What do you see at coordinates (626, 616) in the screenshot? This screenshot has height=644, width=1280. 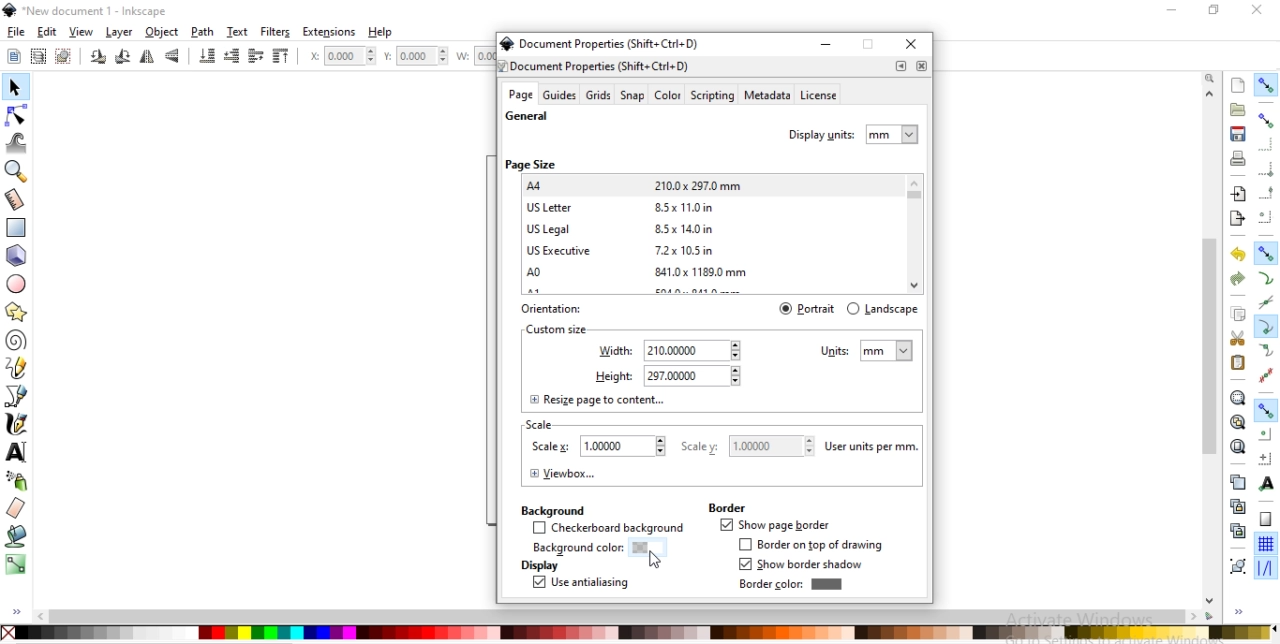 I see `scrollbar` at bounding box center [626, 616].